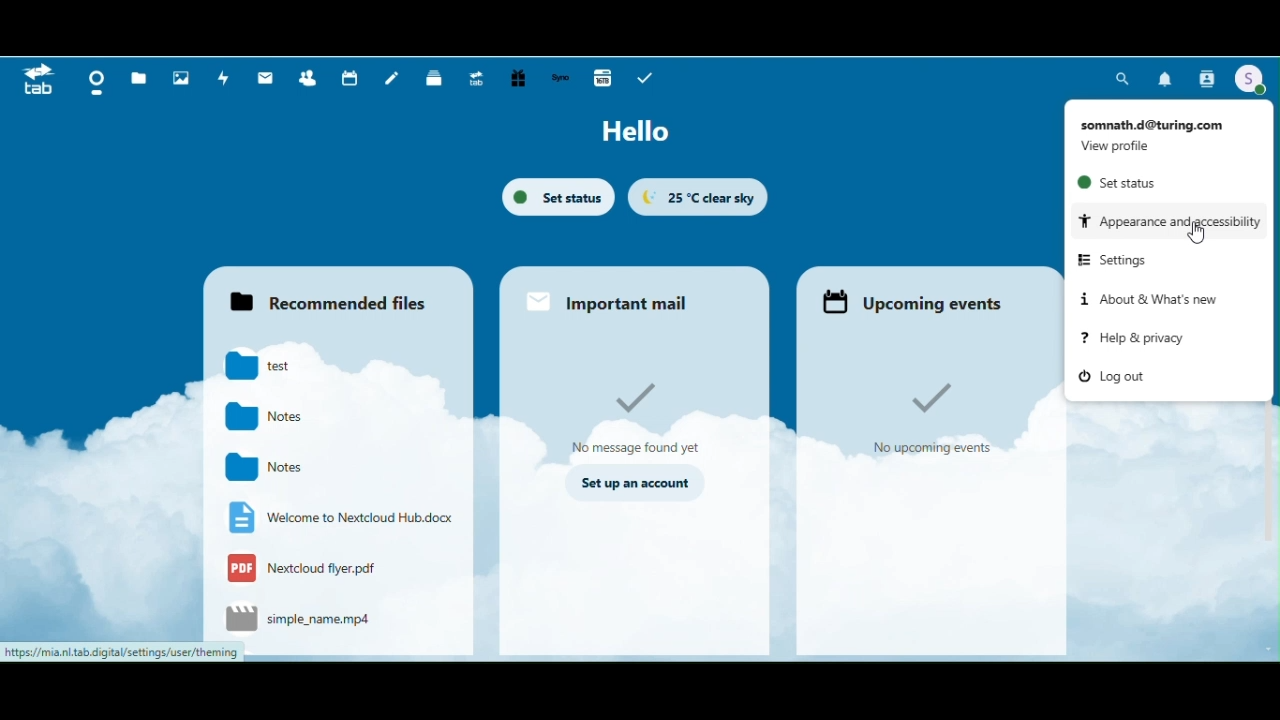 The image size is (1280, 720). Describe the element at coordinates (338, 518) in the screenshot. I see `Welcome to Nextcloud Hub.doox` at that location.